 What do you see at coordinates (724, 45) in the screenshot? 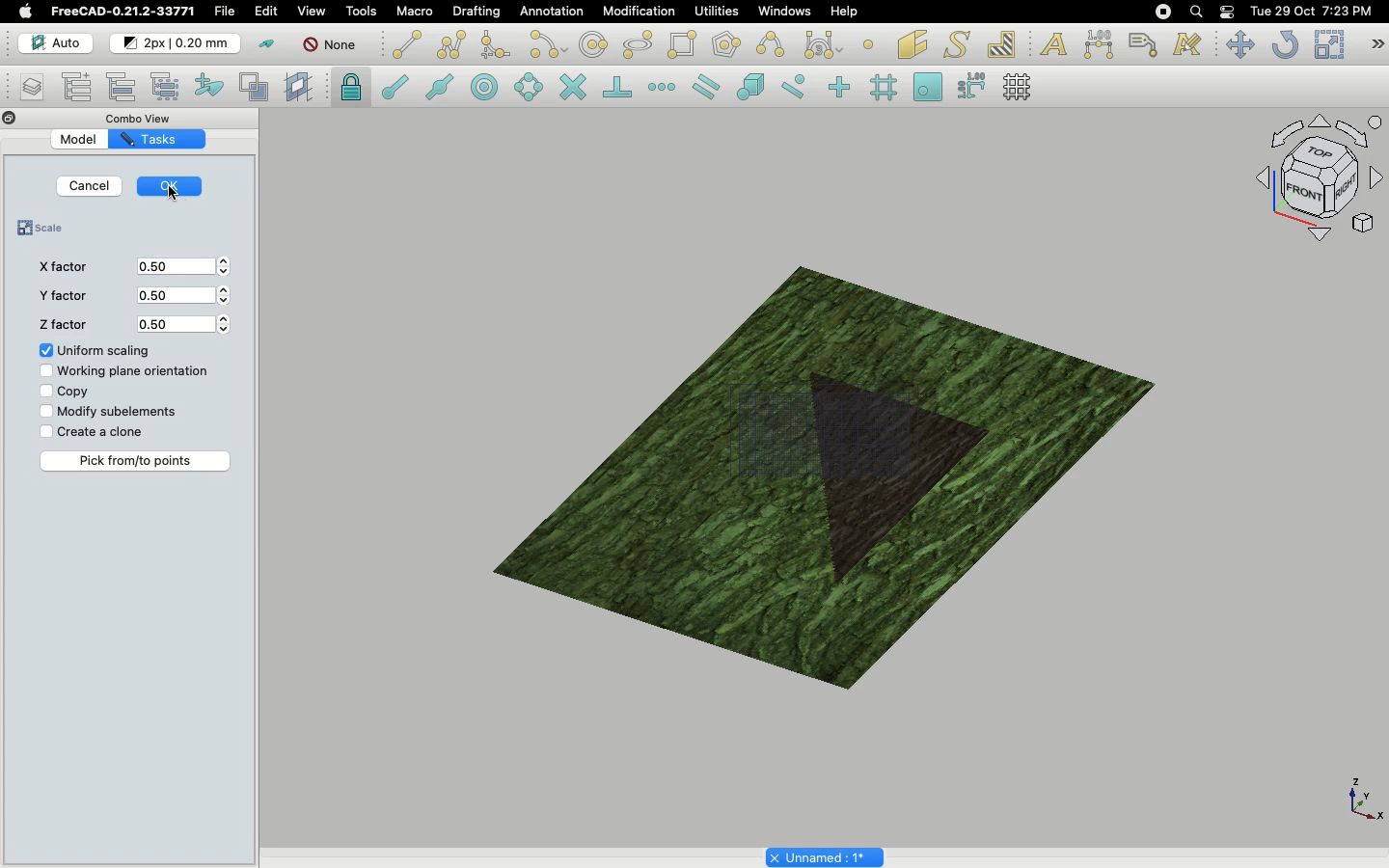
I see `Polygon` at bounding box center [724, 45].